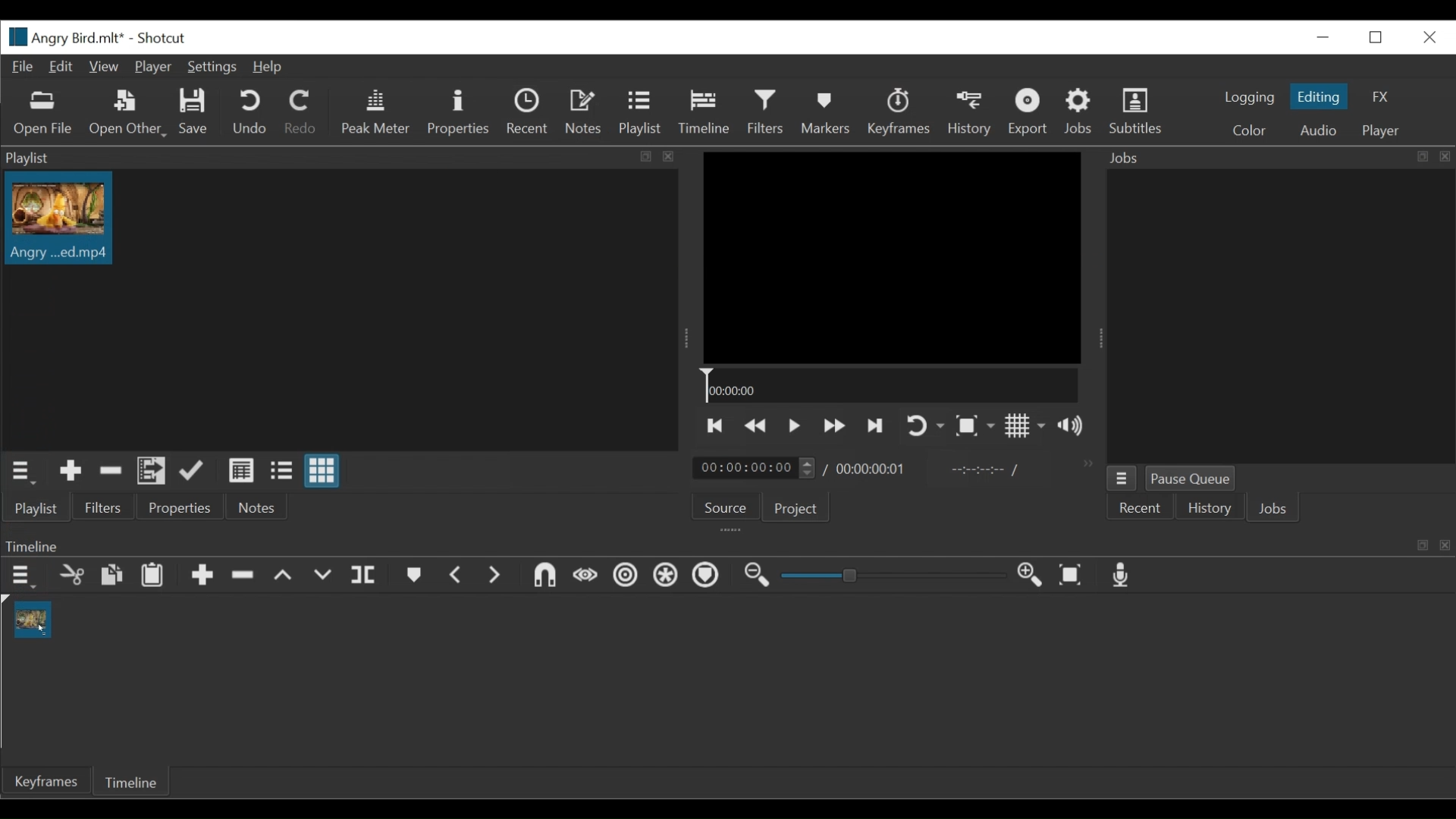  Describe the element at coordinates (797, 507) in the screenshot. I see `Projects` at that location.